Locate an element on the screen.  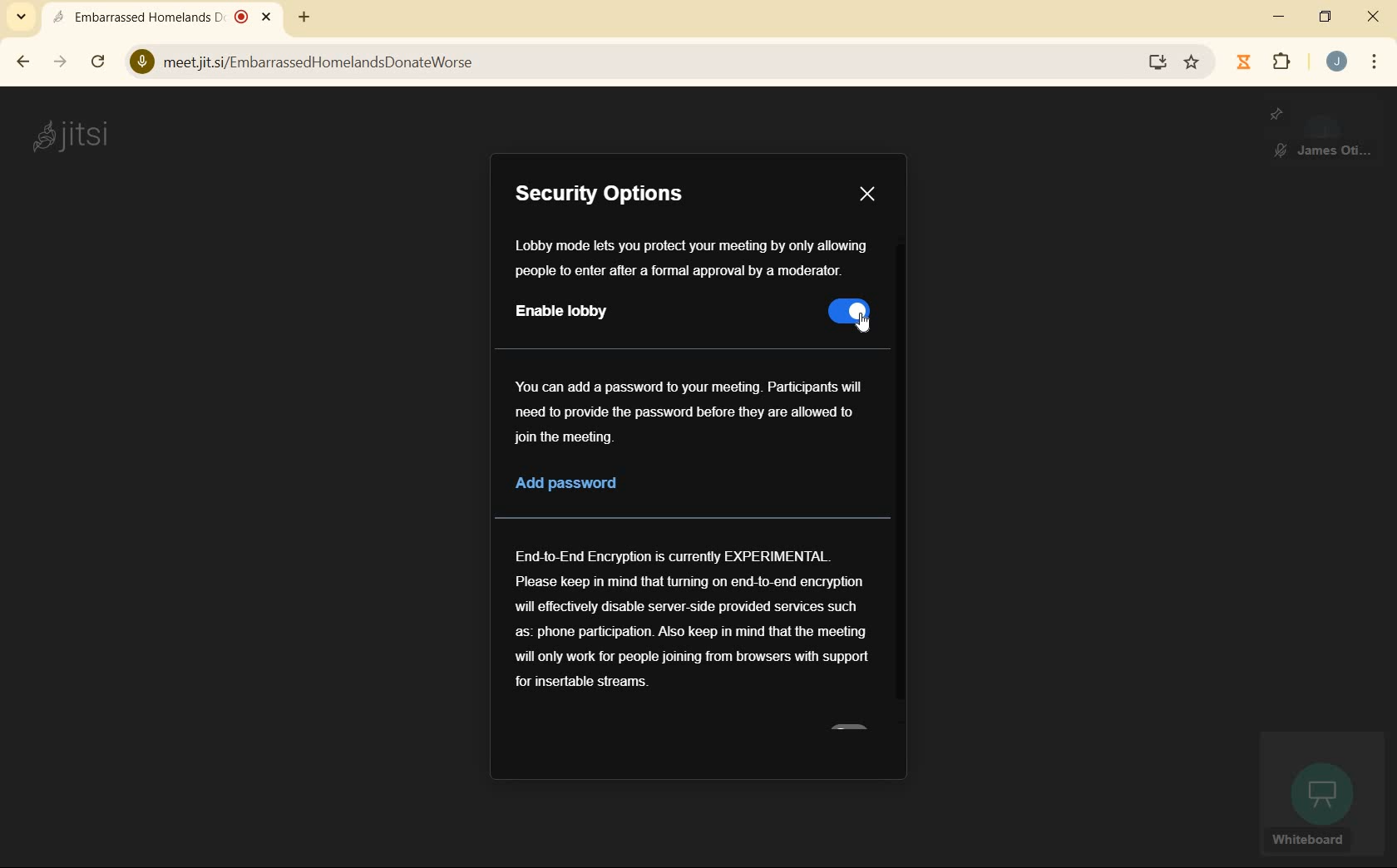
minimize is located at coordinates (1281, 18).